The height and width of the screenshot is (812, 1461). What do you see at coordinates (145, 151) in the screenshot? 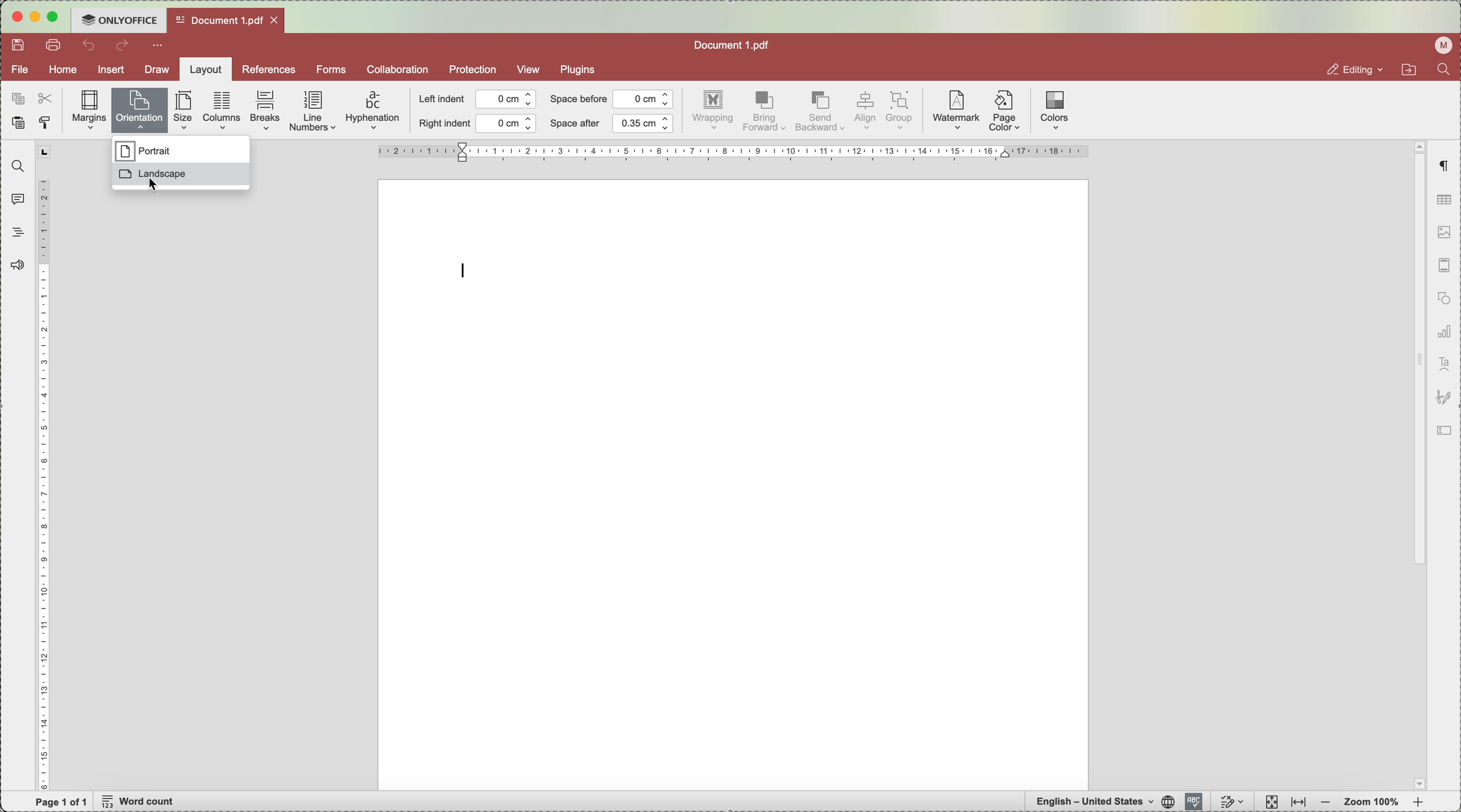
I see `portrait` at bounding box center [145, 151].